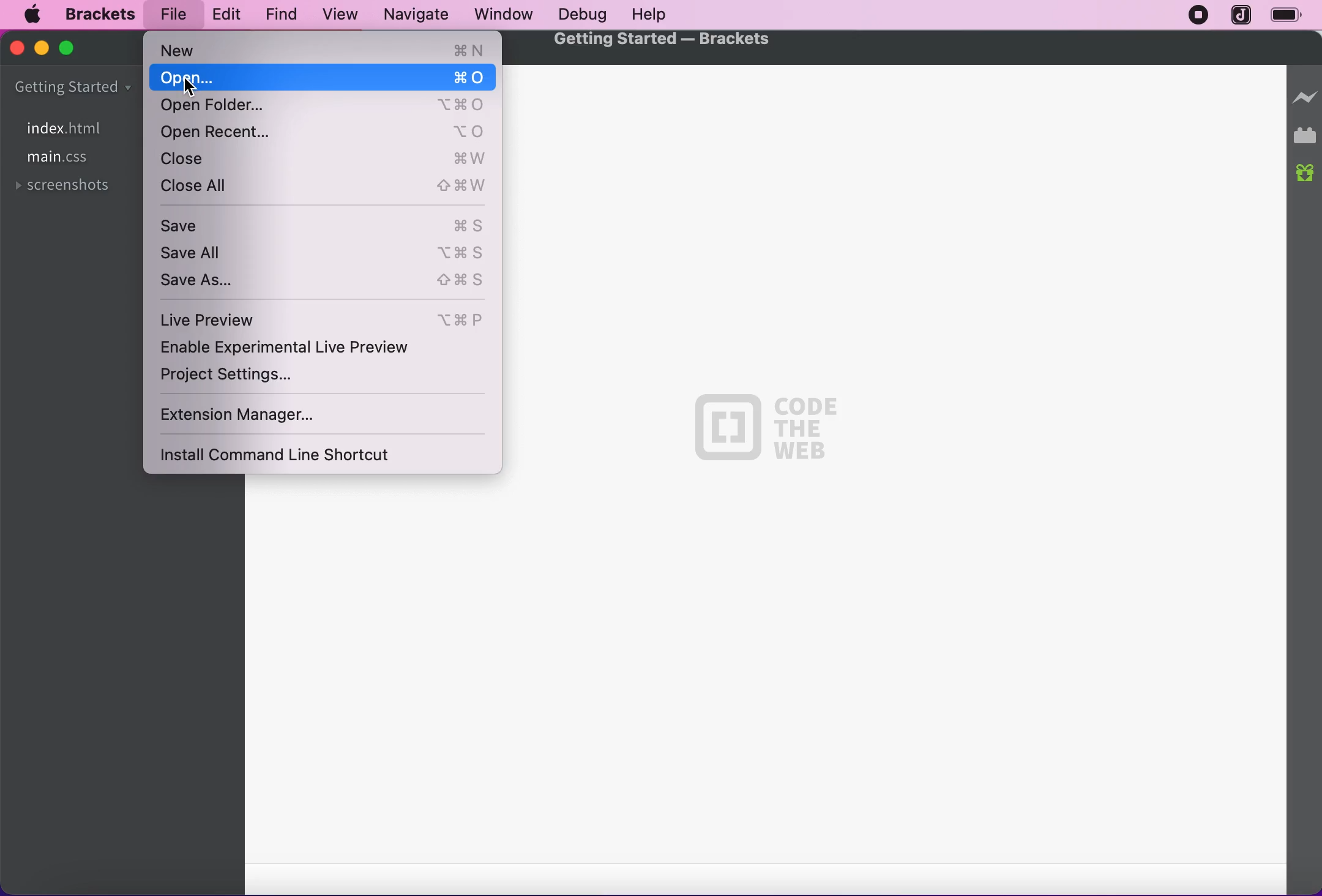  What do you see at coordinates (300, 455) in the screenshot?
I see `install command line shortcut` at bounding box center [300, 455].